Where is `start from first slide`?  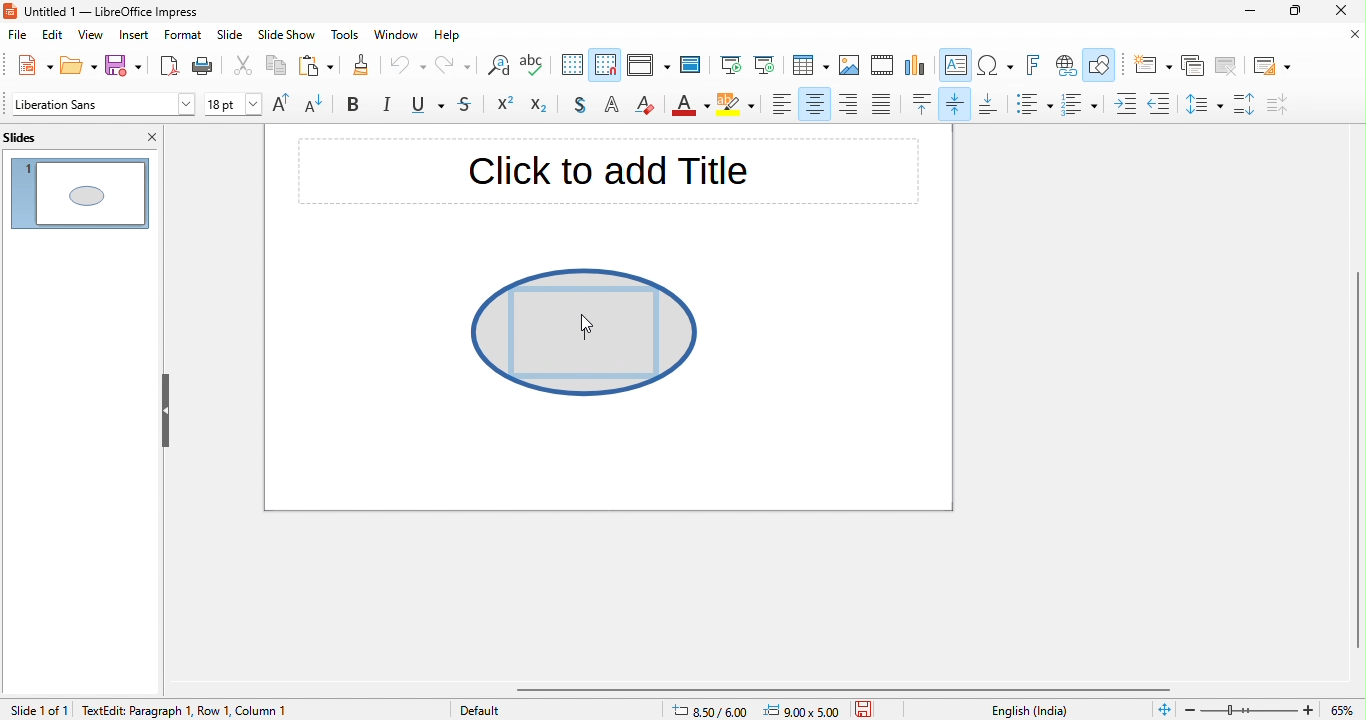
start from first slide is located at coordinates (730, 66).